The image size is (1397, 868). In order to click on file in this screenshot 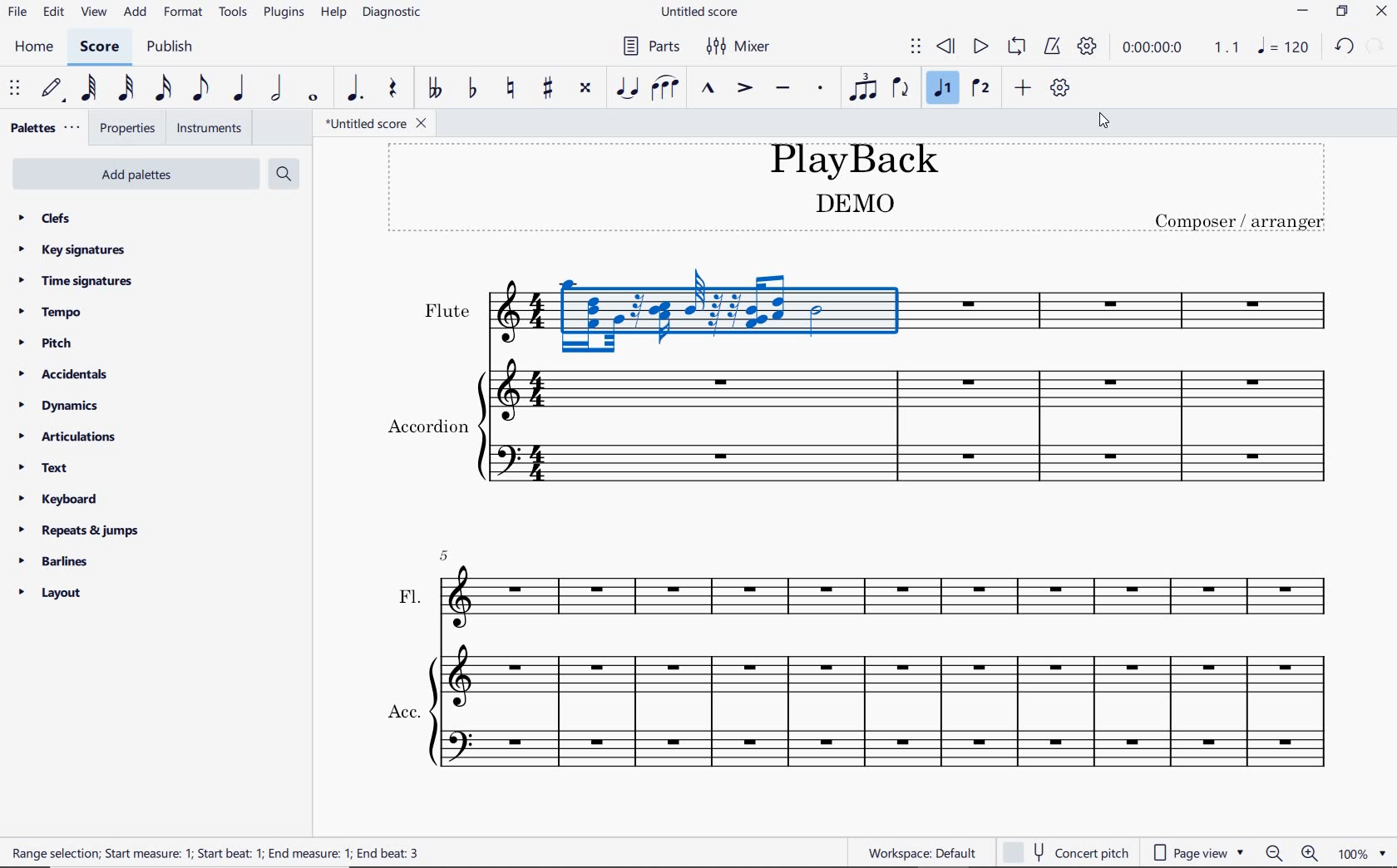, I will do `click(17, 12)`.